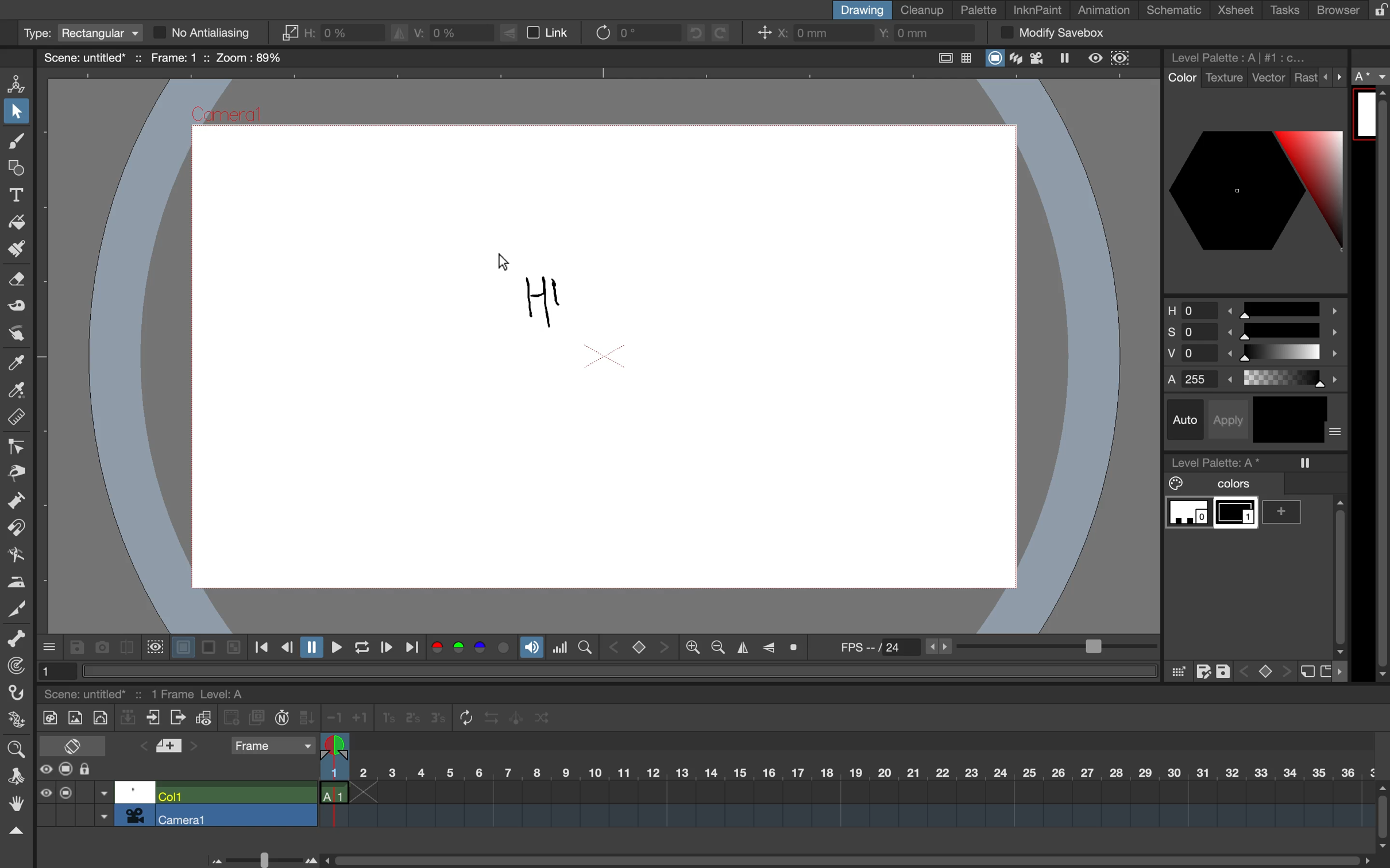 This screenshot has height=868, width=1390. I want to click on alphas, so click(1257, 379).